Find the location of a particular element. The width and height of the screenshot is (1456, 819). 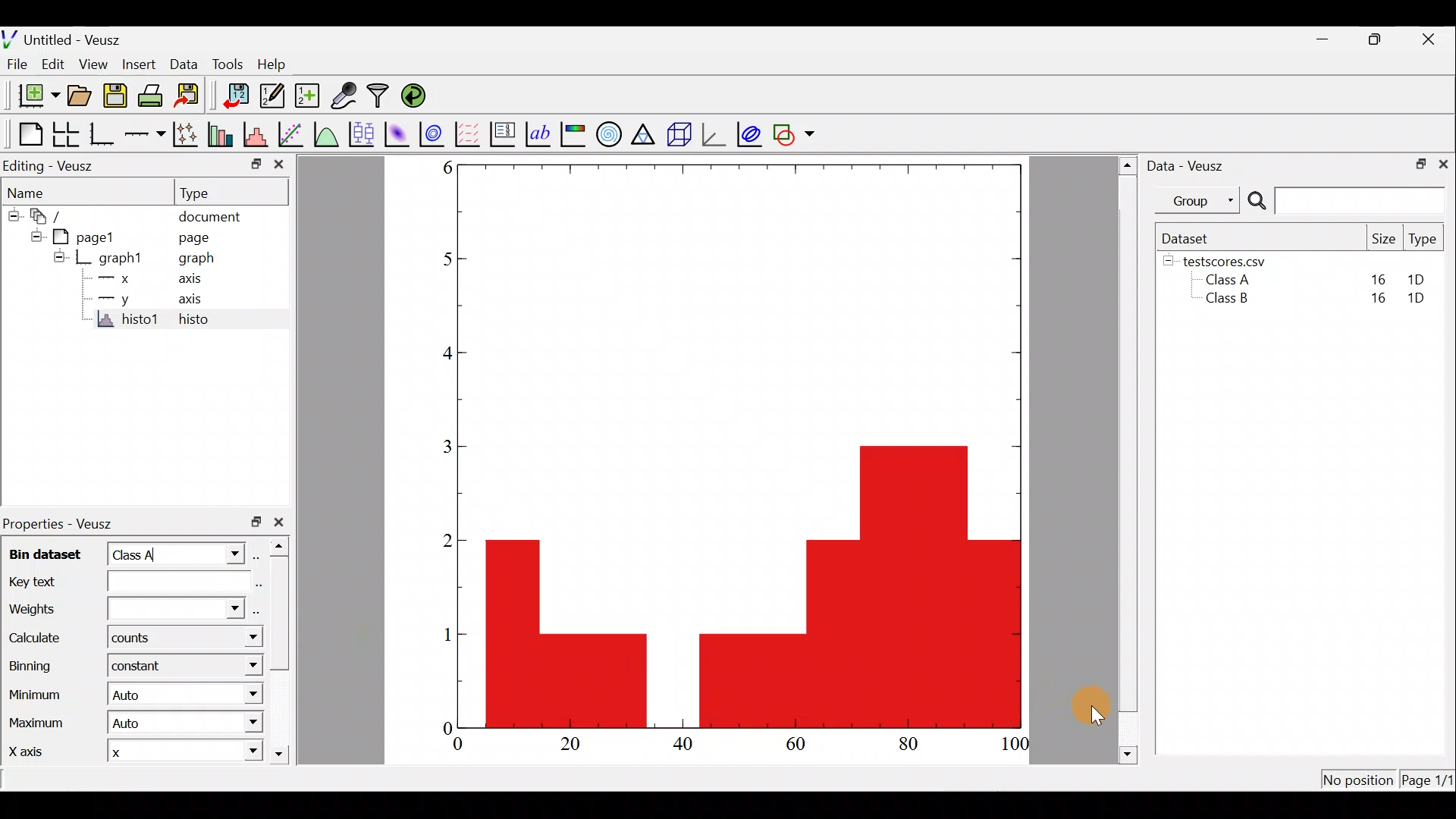

page1 is located at coordinates (77, 237).